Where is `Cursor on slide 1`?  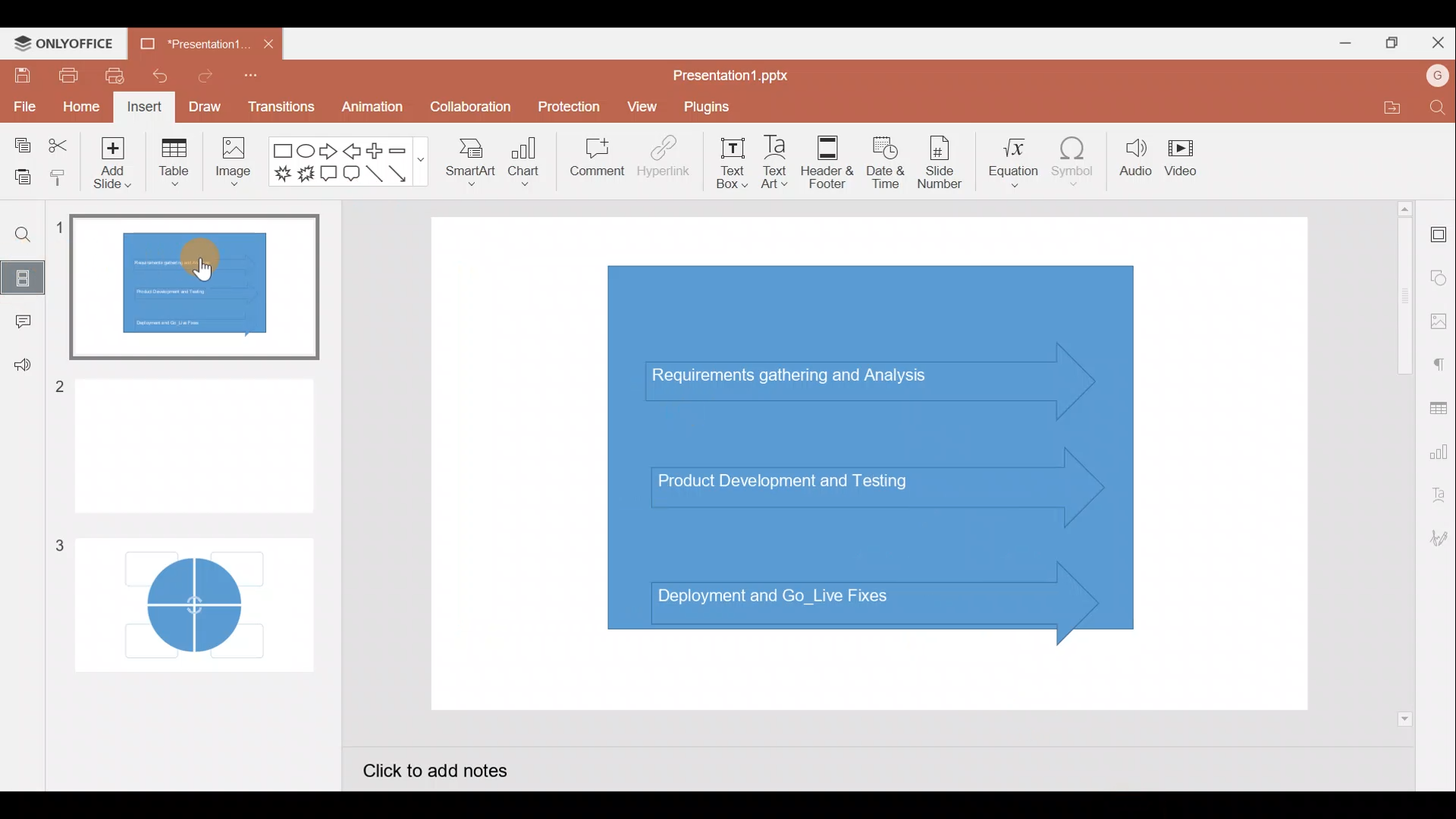 Cursor on slide 1 is located at coordinates (197, 265).